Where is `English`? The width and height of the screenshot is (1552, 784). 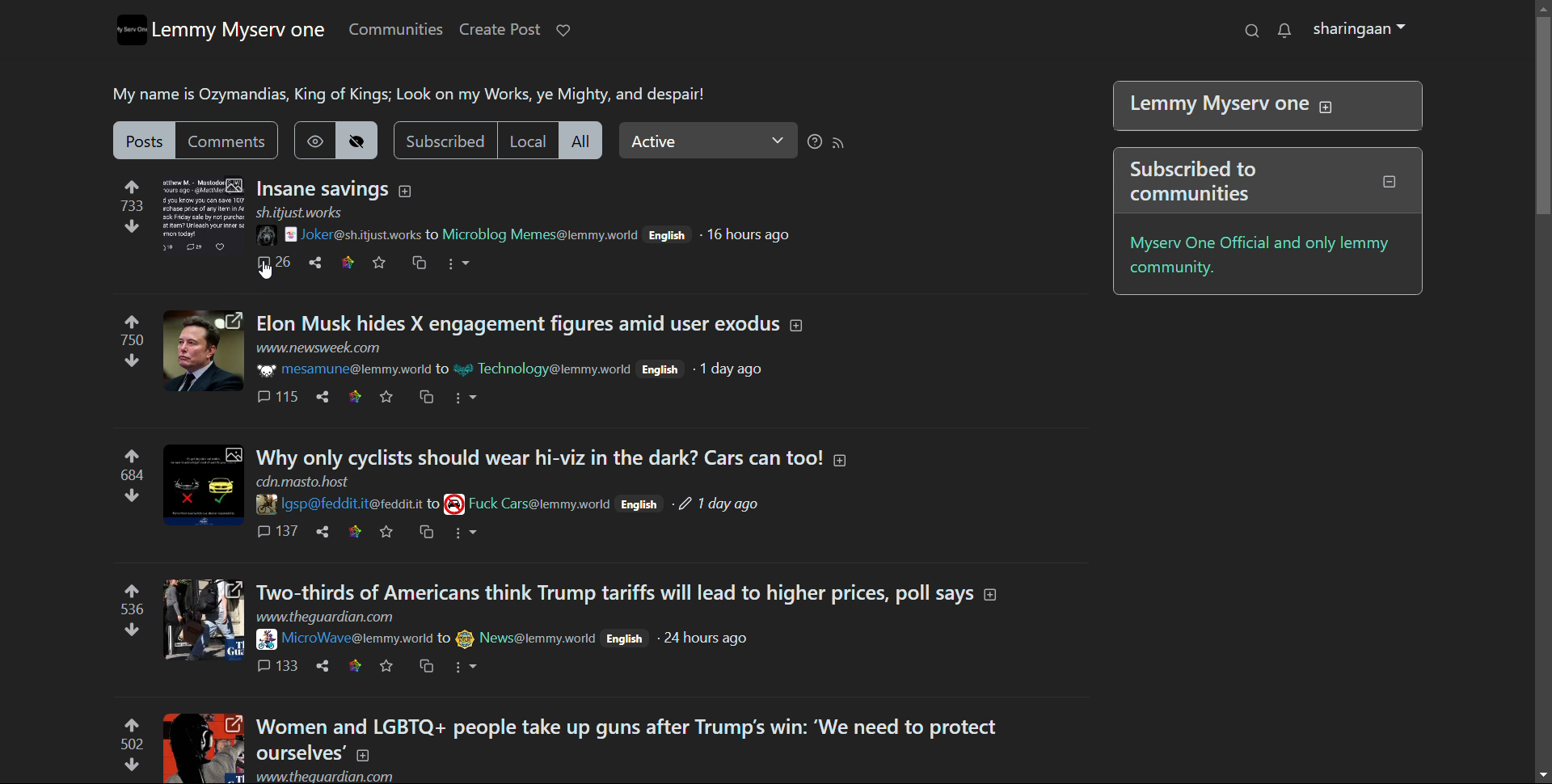
English is located at coordinates (668, 235).